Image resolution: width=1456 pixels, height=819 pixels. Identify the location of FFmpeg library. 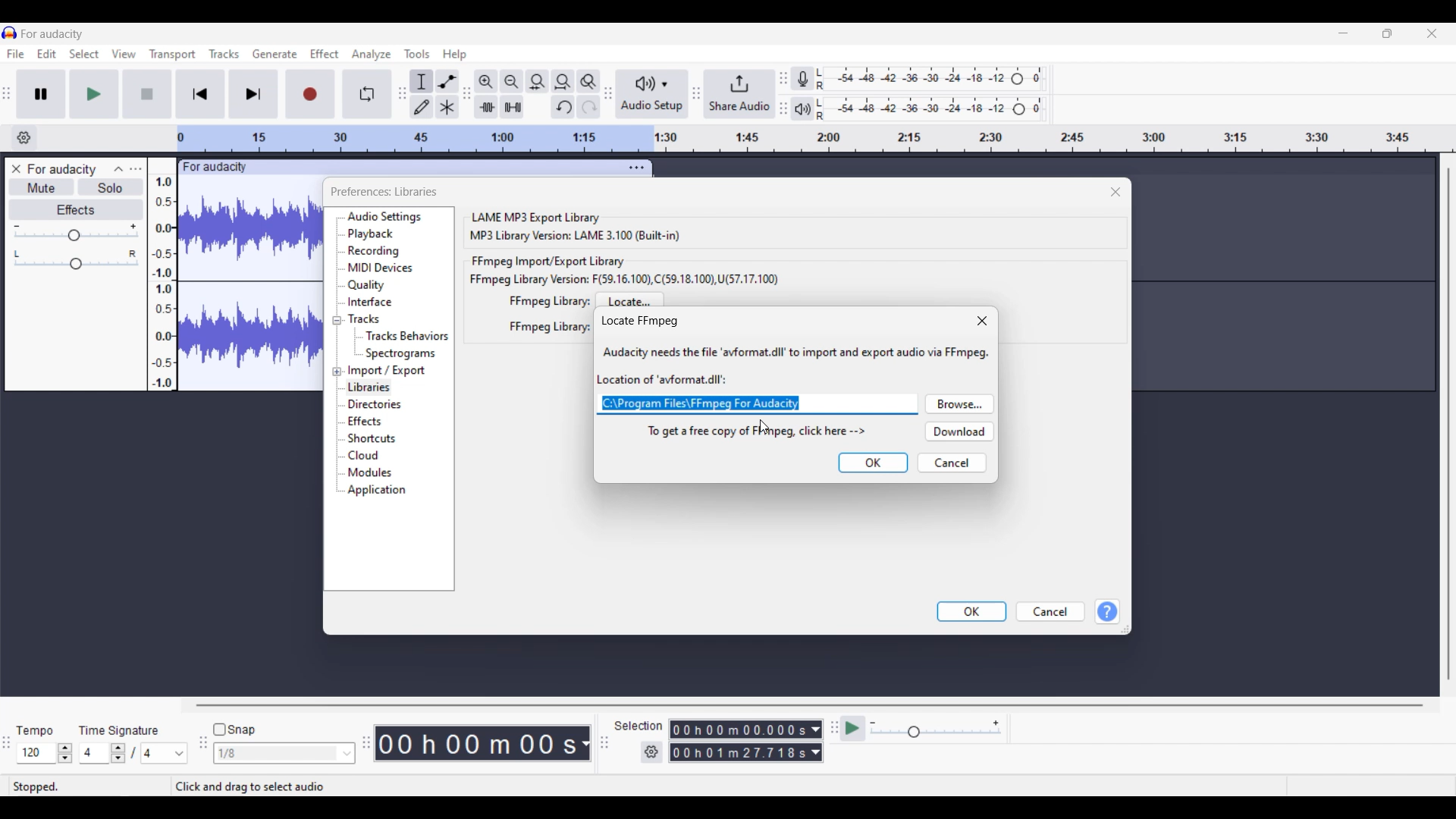
(549, 327).